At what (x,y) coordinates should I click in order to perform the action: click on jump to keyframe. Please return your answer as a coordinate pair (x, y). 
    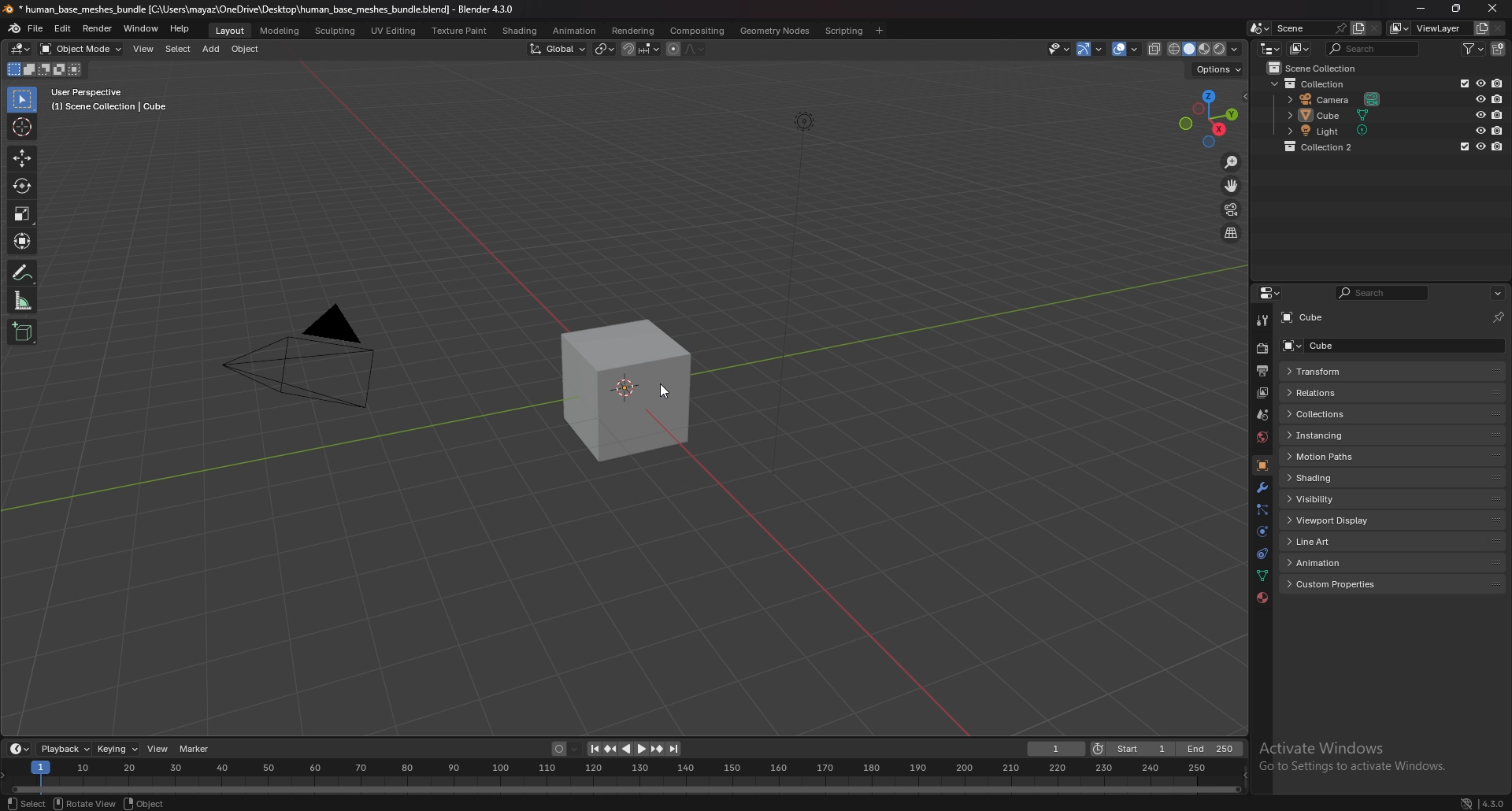
    Looking at the image, I should click on (658, 749).